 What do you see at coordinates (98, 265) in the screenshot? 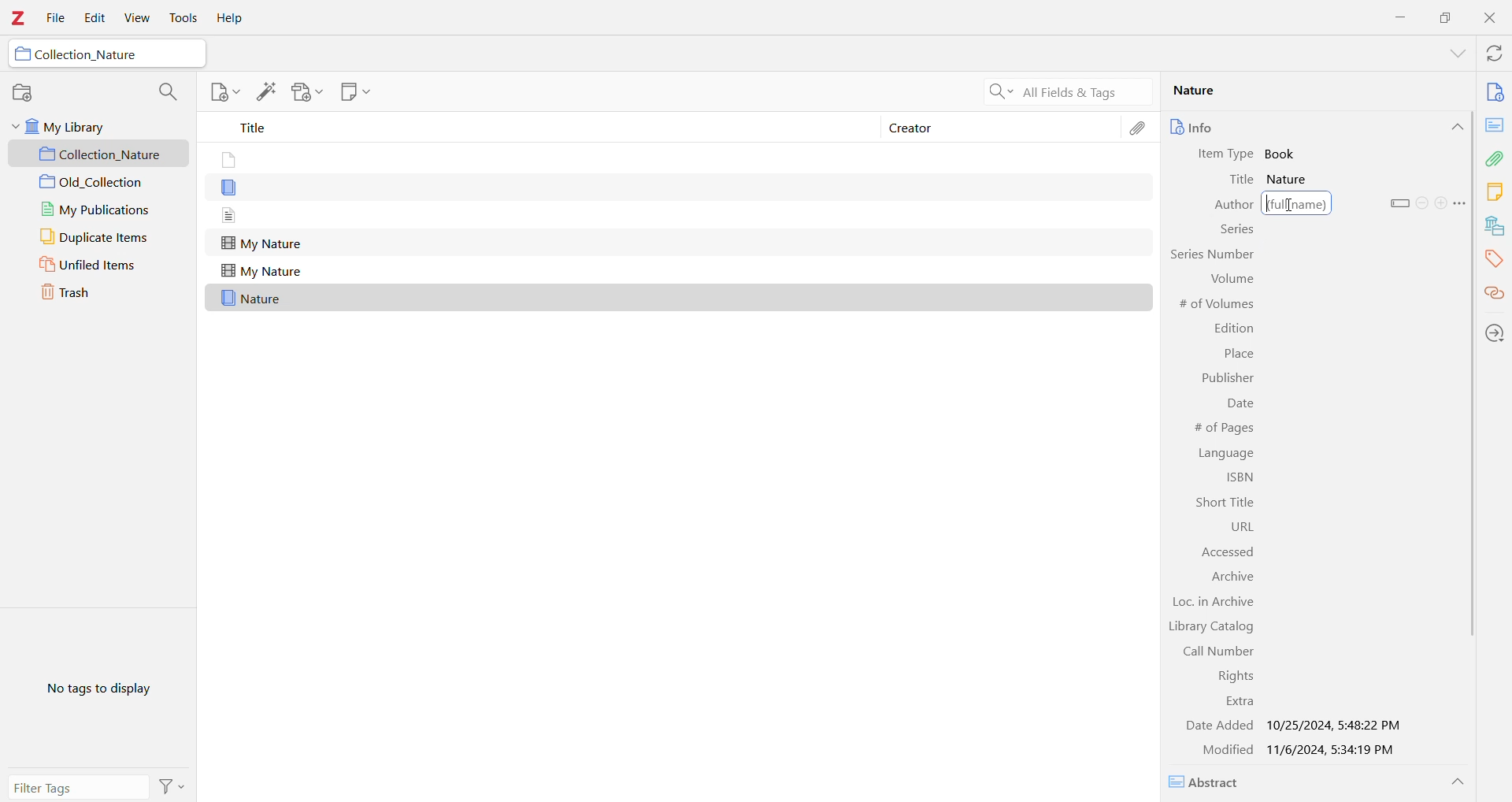
I see `Unfiled Items` at bounding box center [98, 265].